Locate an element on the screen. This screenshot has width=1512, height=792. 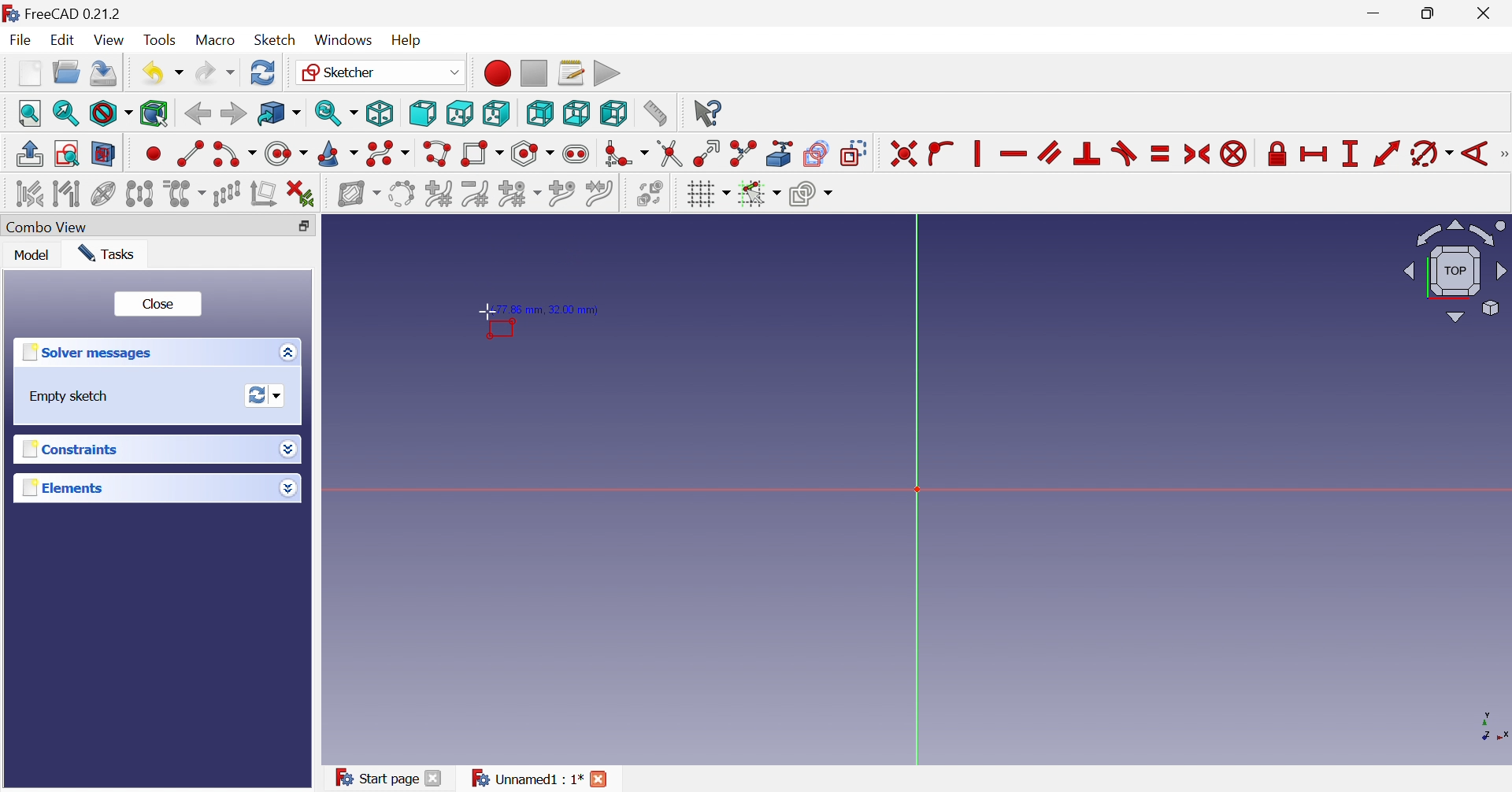
Constrain vertical distance is located at coordinates (1349, 154).